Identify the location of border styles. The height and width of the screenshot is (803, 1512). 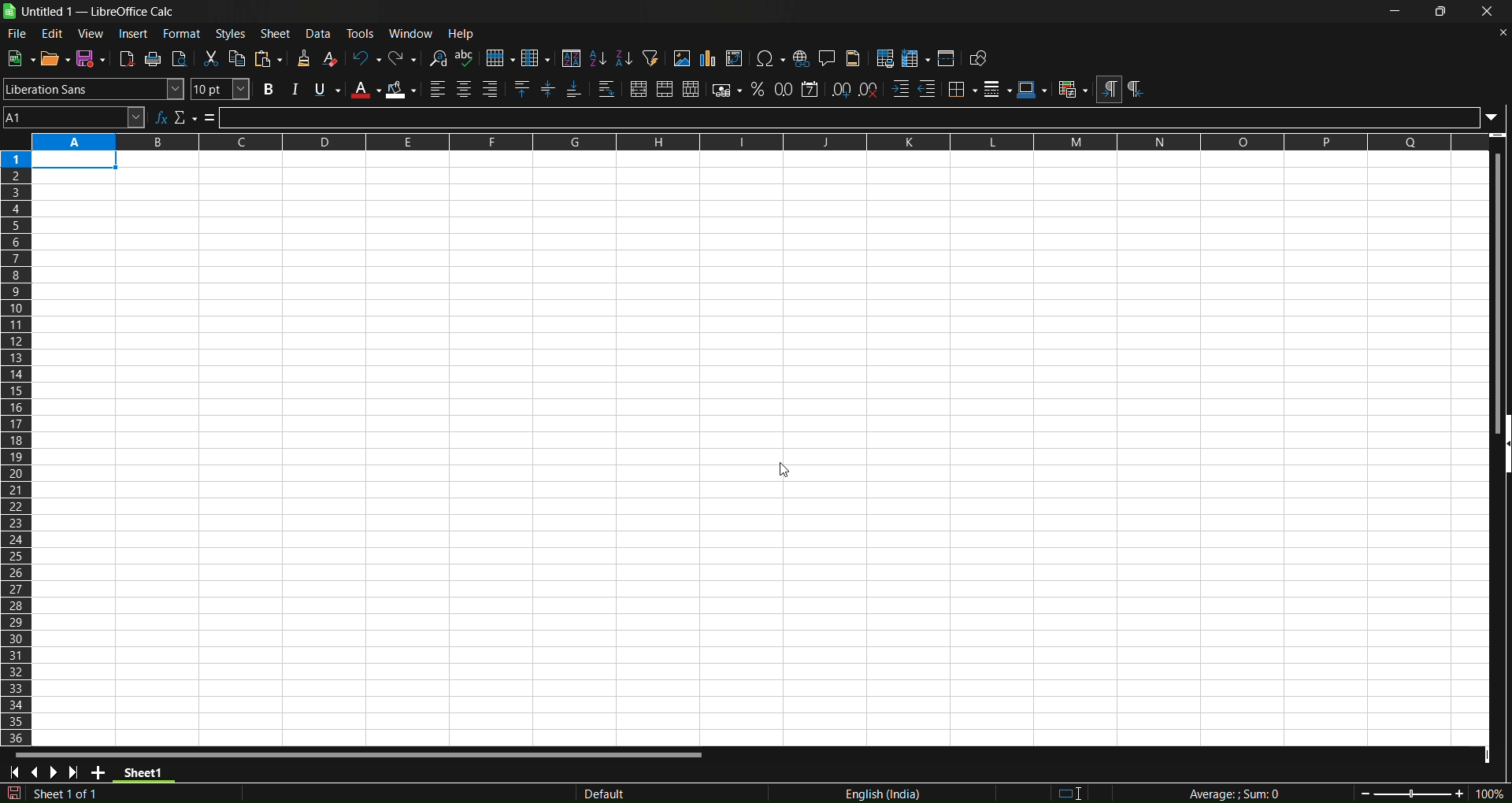
(998, 89).